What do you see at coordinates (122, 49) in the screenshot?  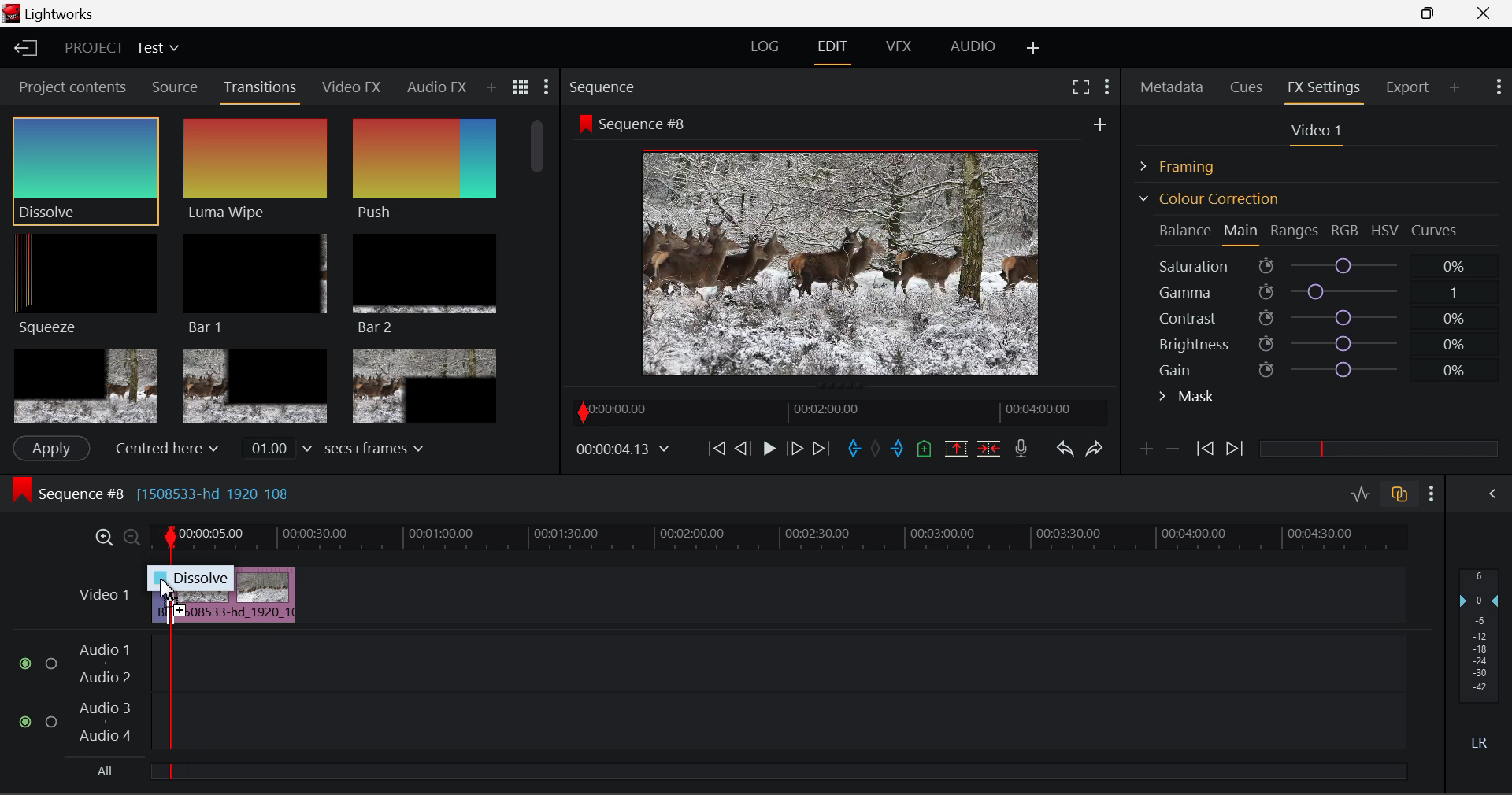 I see `Project Title` at bounding box center [122, 49].